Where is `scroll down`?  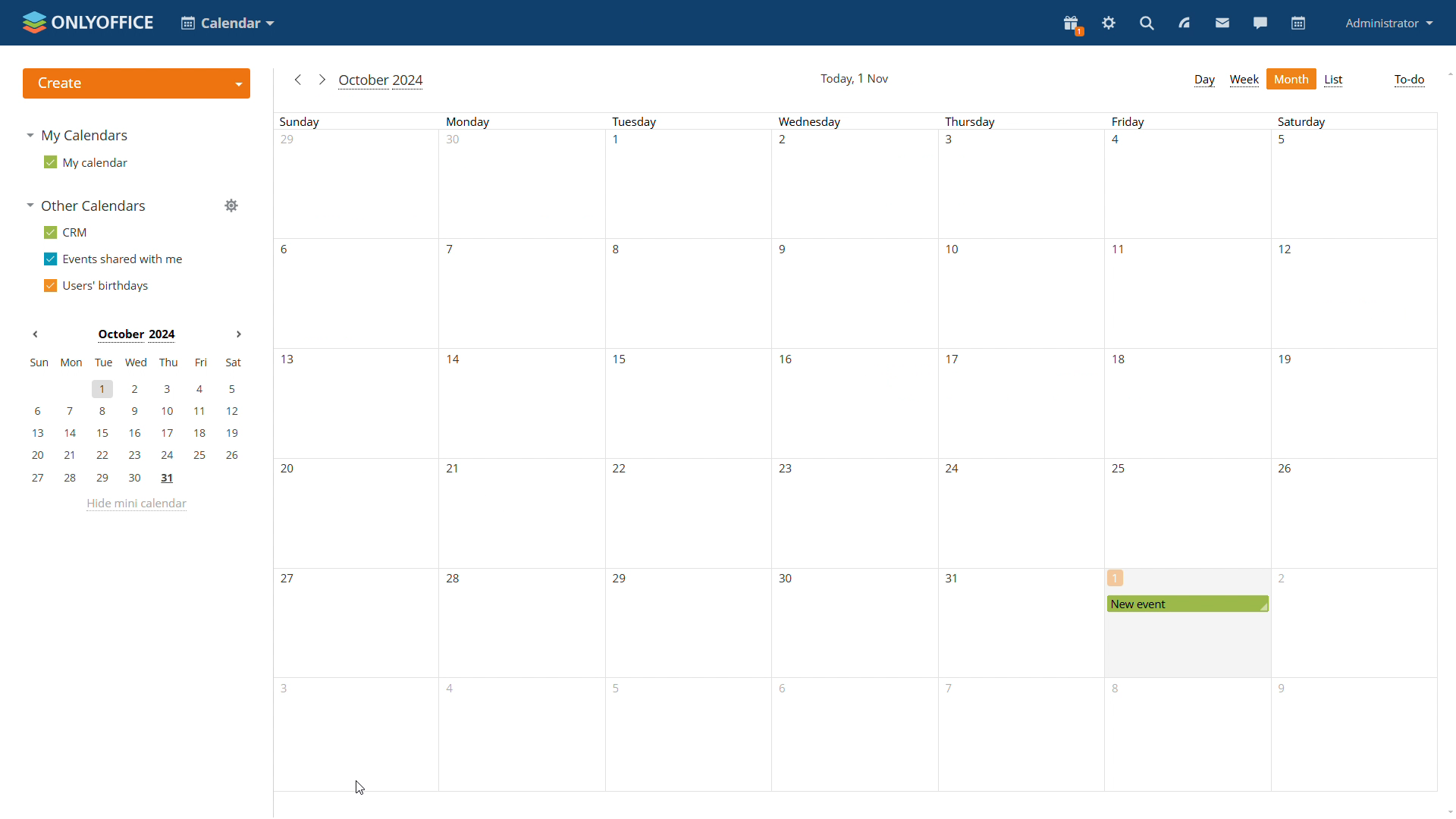
scroll down is located at coordinates (1451, 809).